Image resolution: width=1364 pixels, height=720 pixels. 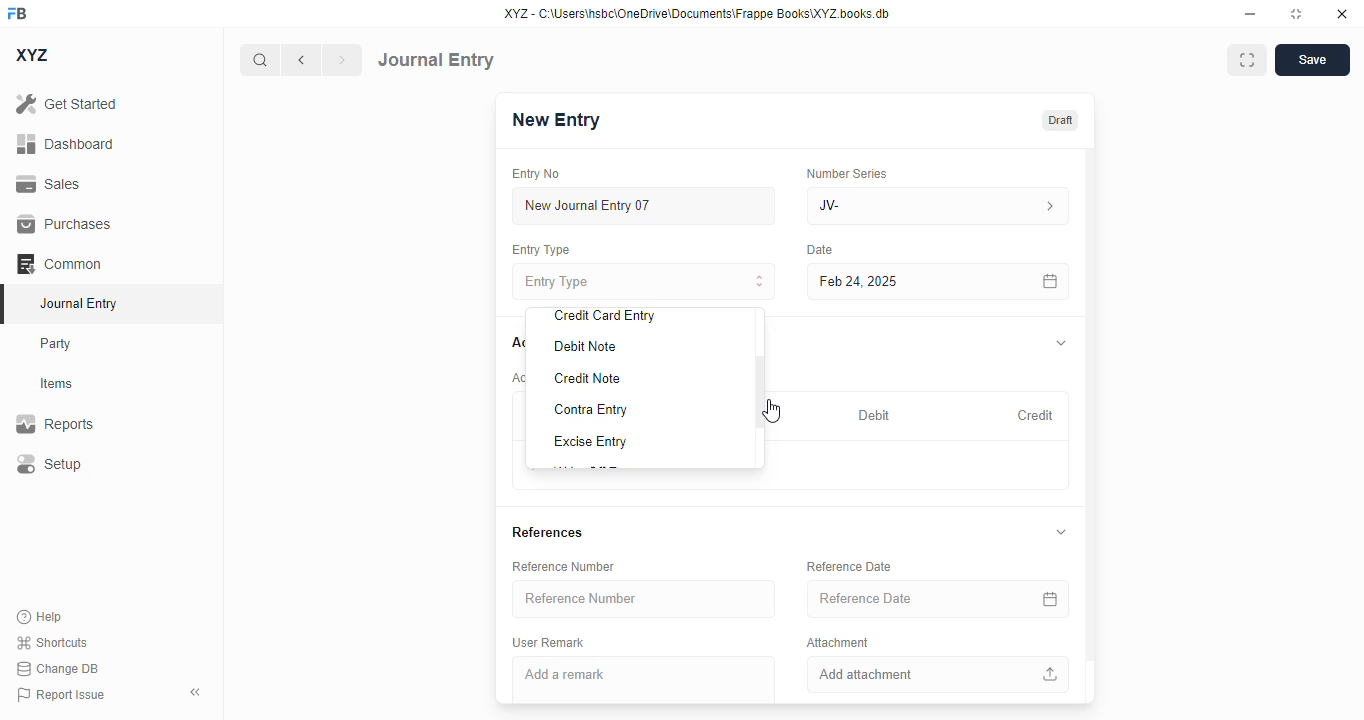 What do you see at coordinates (772, 410) in the screenshot?
I see `cursor - drag to` at bounding box center [772, 410].